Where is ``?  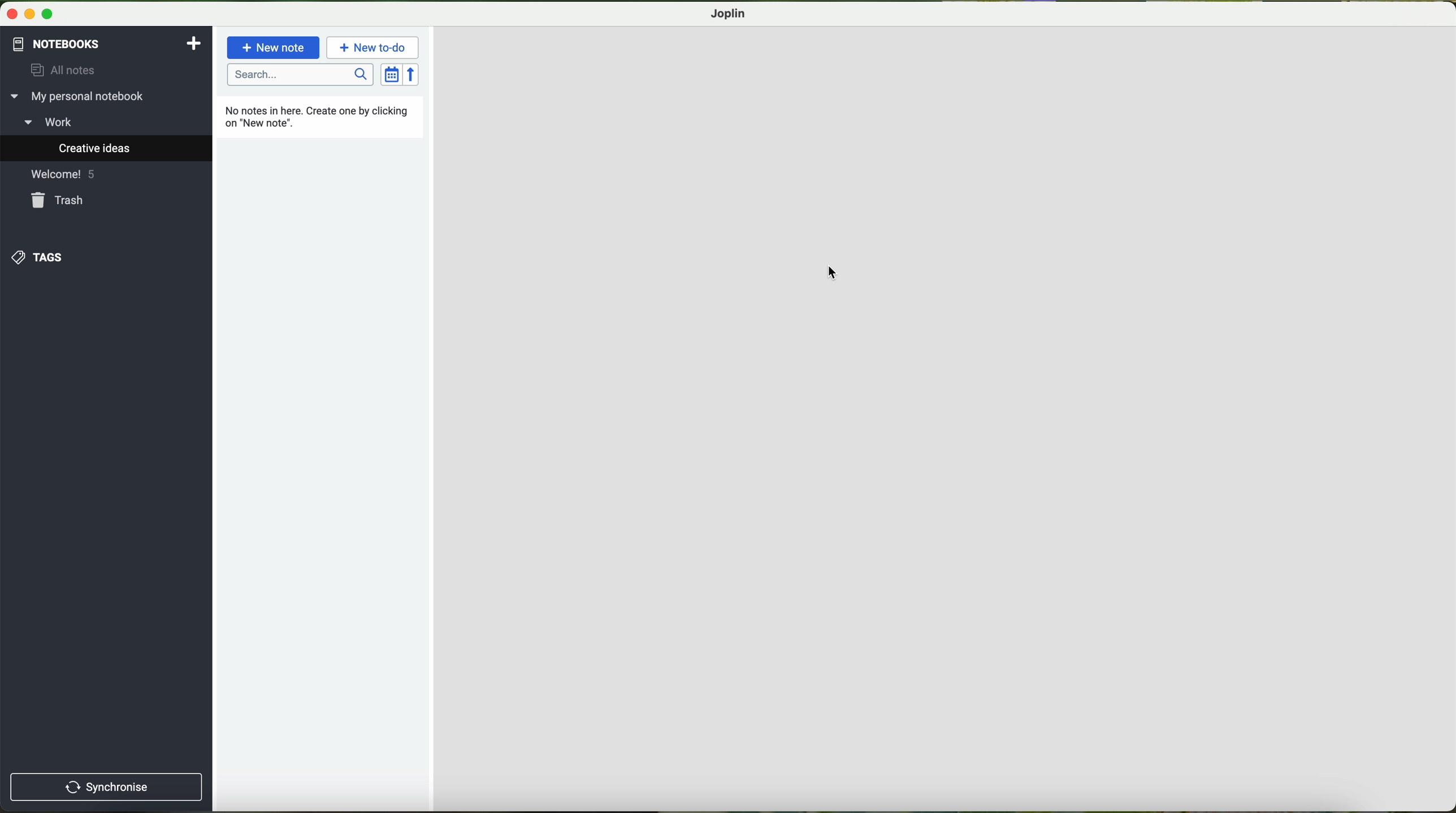  is located at coordinates (415, 76).